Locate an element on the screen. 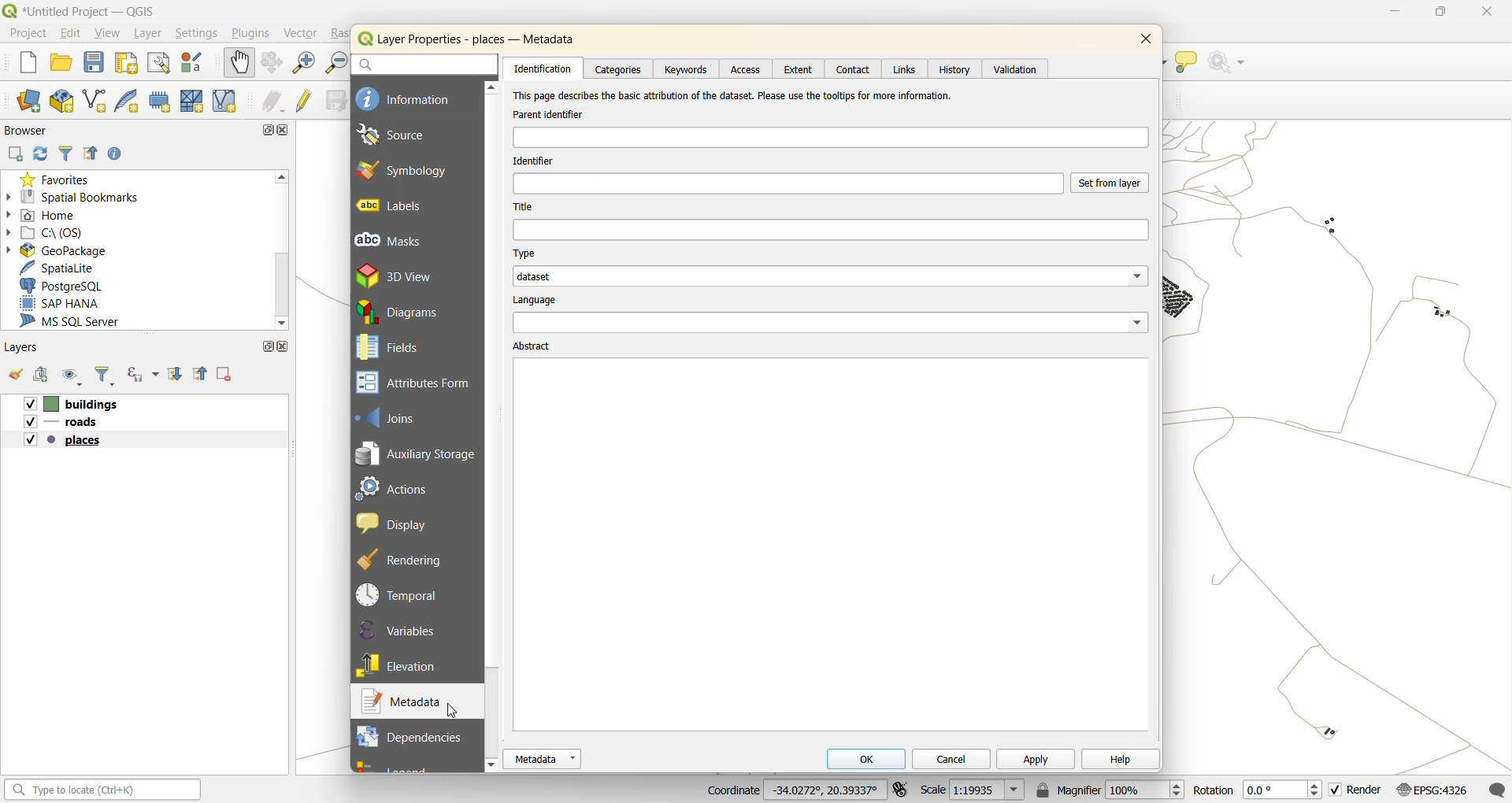 The image size is (1512, 803). metadata is located at coordinates (404, 703).